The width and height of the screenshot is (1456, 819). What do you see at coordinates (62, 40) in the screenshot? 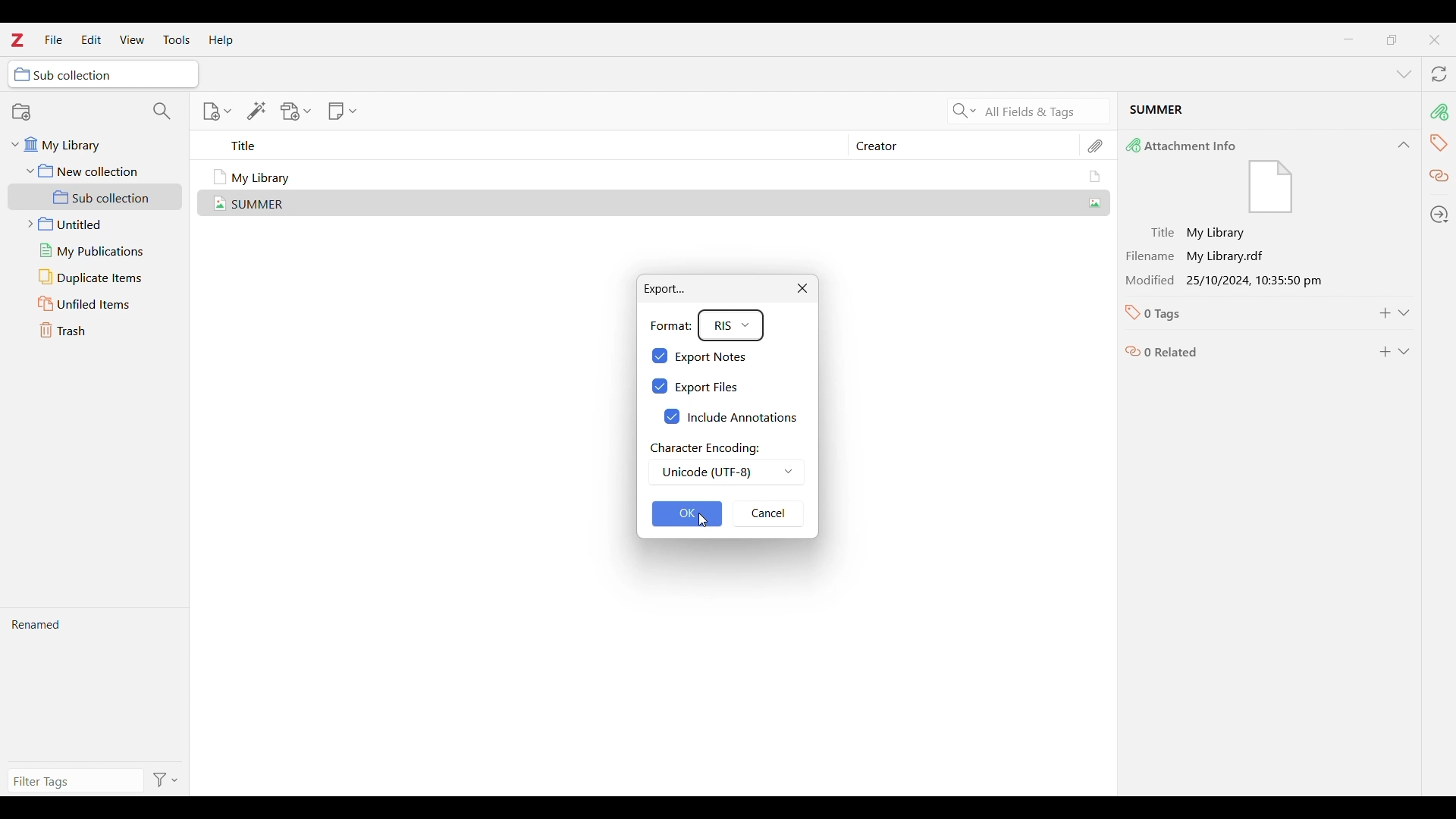
I see `Cursor` at bounding box center [62, 40].